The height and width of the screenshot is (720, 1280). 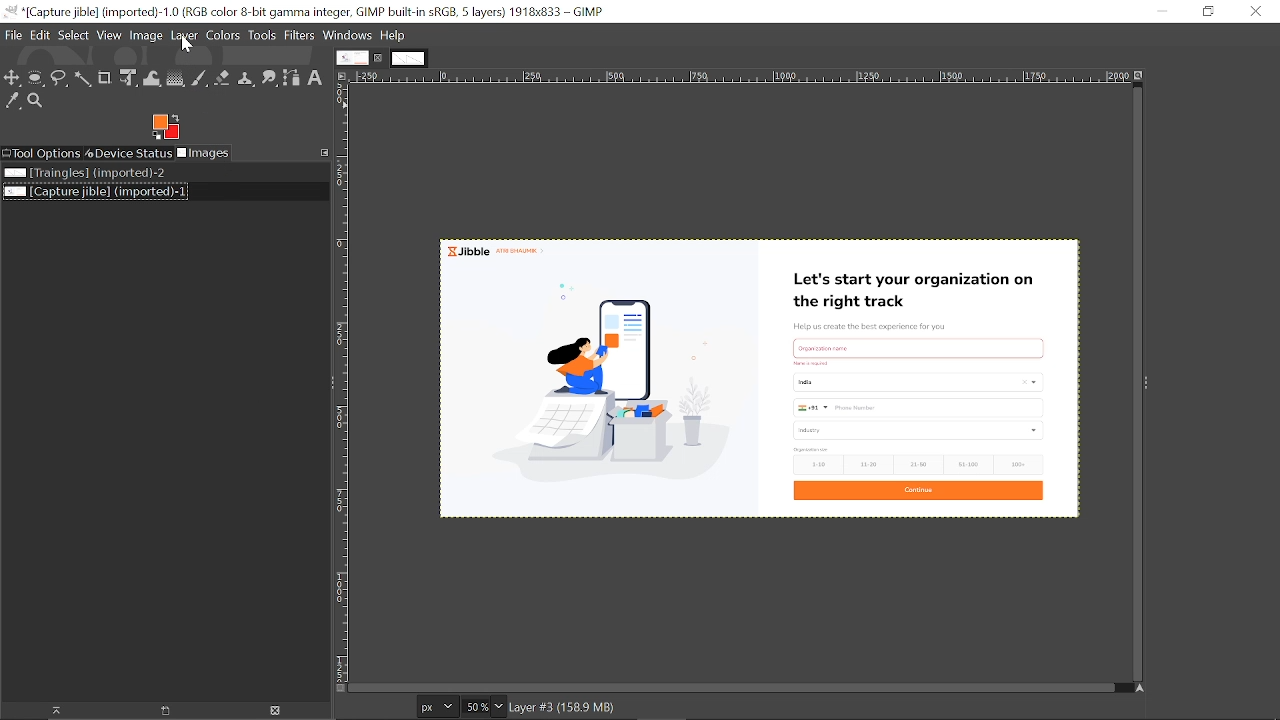 What do you see at coordinates (341, 382) in the screenshot?
I see `Vertical label` at bounding box center [341, 382].